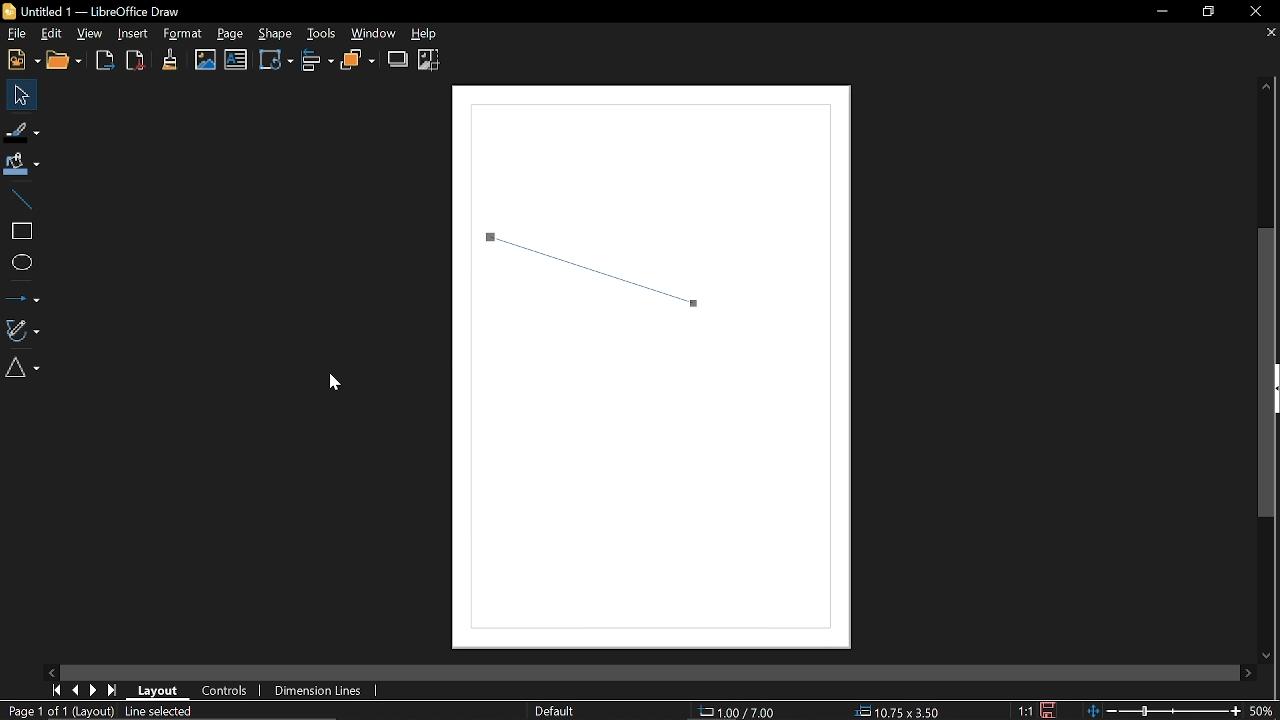  Describe the element at coordinates (22, 295) in the screenshot. I see `Lines and arrows` at that location.